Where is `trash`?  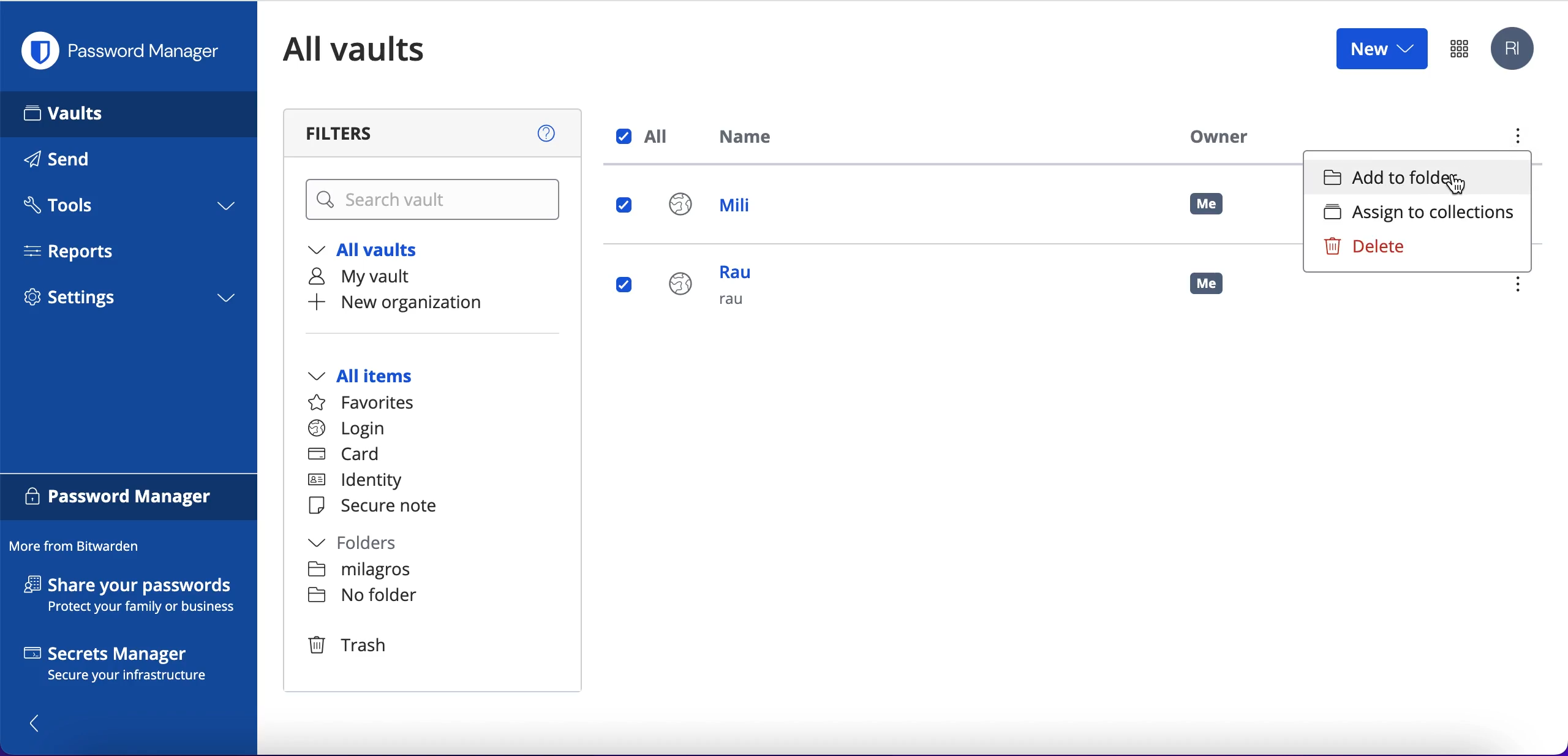
trash is located at coordinates (346, 644).